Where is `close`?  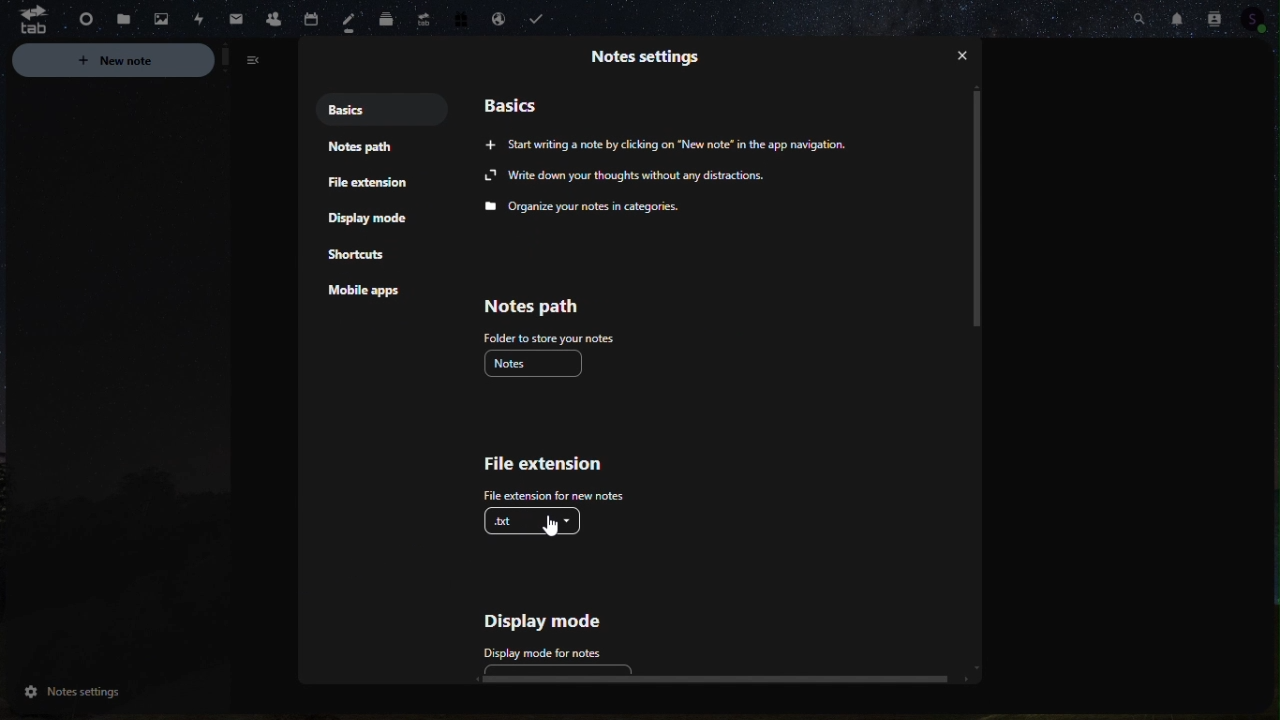 close is located at coordinates (963, 58).